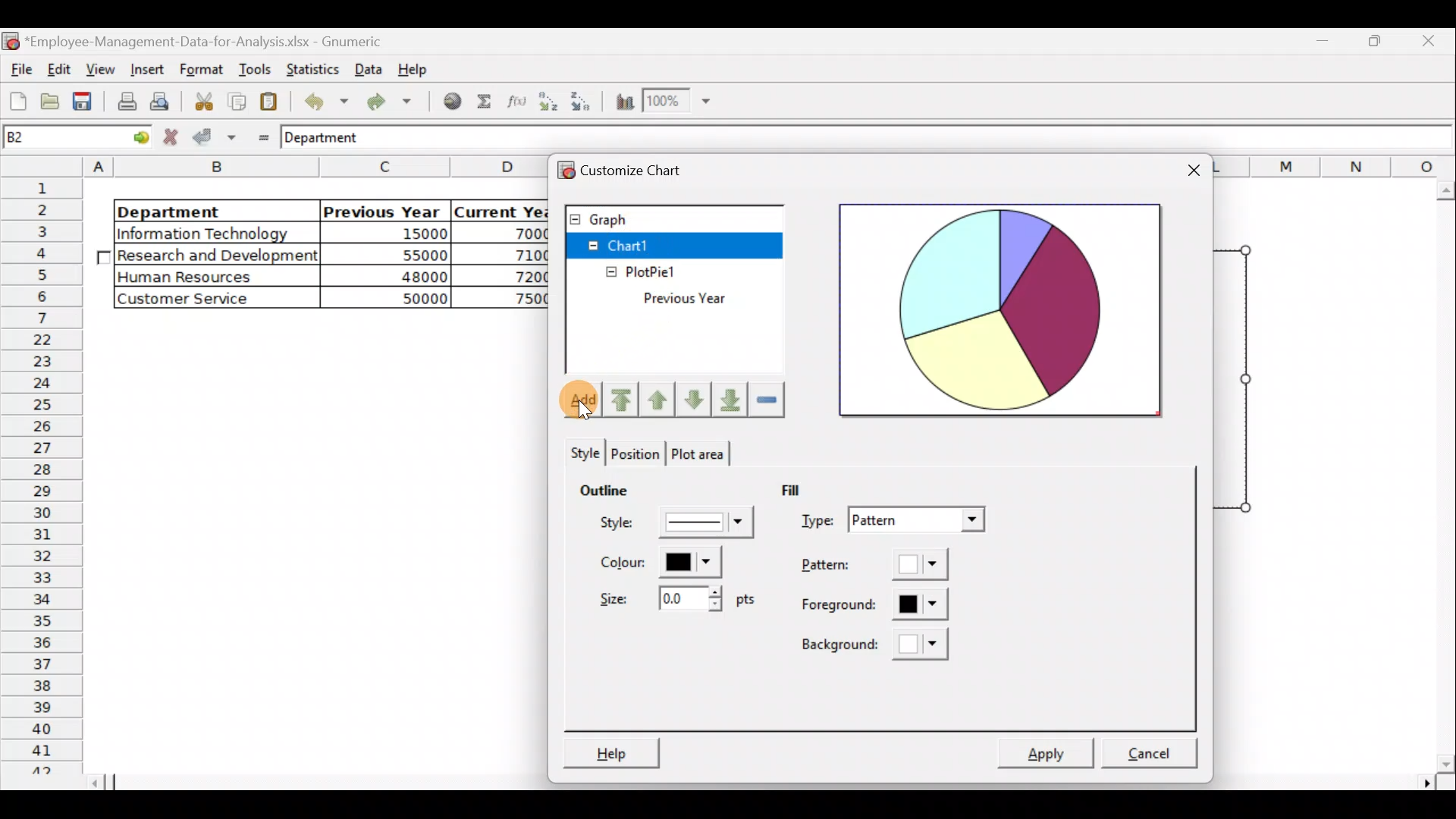 The height and width of the screenshot is (819, 1456). Describe the element at coordinates (45, 475) in the screenshot. I see `Rows` at that location.